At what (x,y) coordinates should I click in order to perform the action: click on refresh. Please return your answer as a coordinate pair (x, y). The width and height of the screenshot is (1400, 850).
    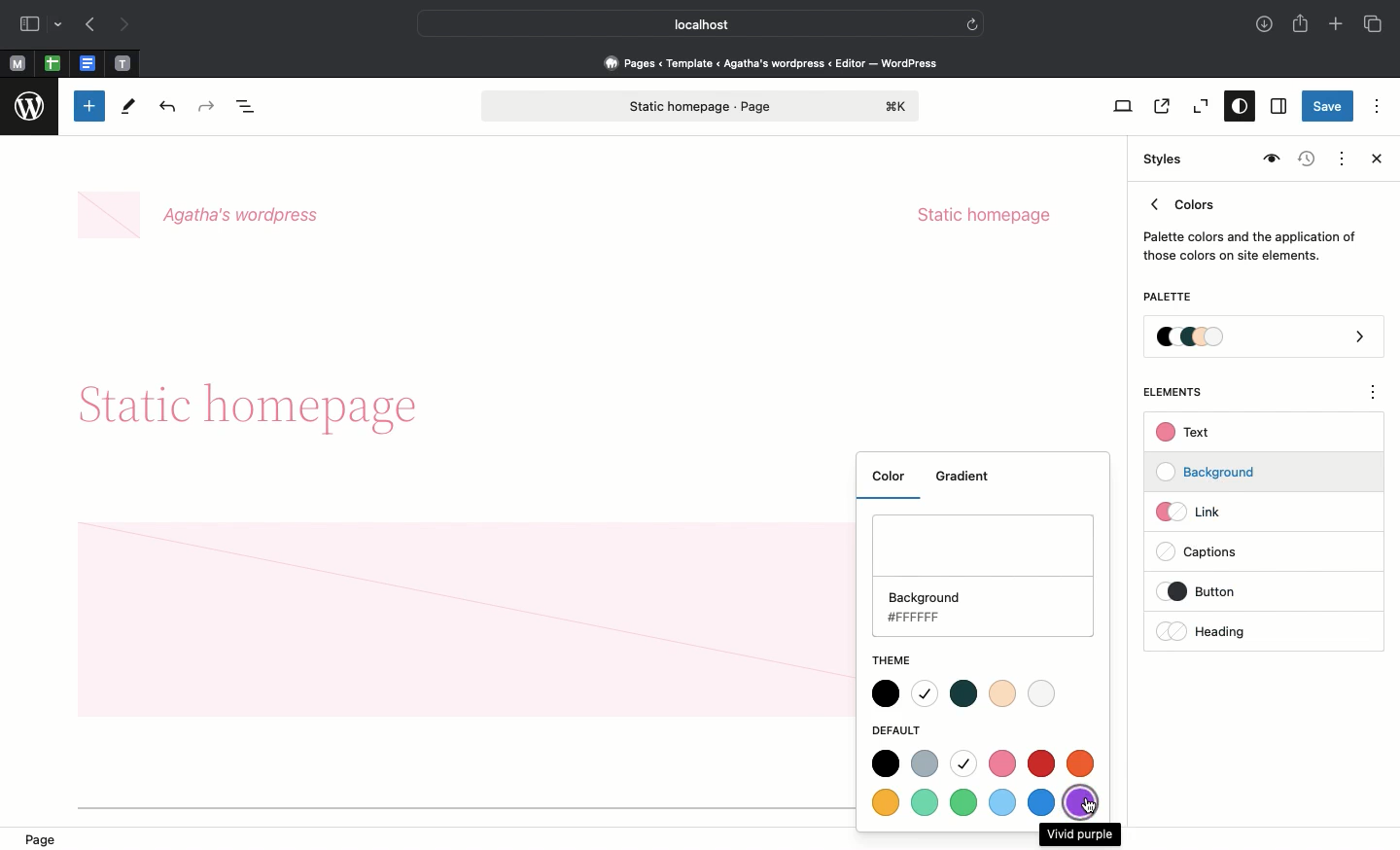
    Looking at the image, I should click on (972, 22).